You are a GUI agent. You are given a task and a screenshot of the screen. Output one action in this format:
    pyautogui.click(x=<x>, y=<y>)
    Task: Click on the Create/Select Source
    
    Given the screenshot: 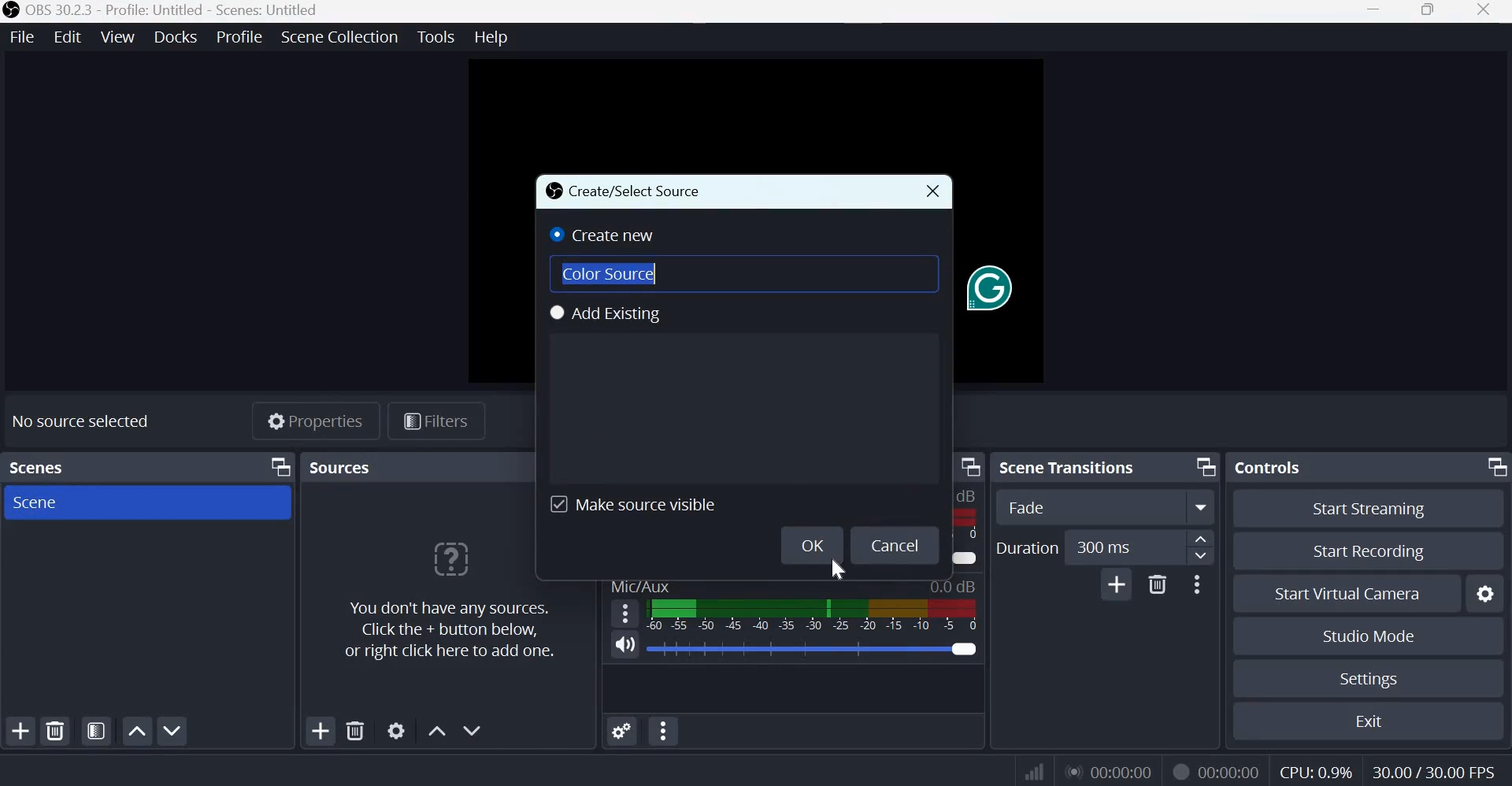 What is the action you would take?
    pyautogui.click(x=628, y=191)
    